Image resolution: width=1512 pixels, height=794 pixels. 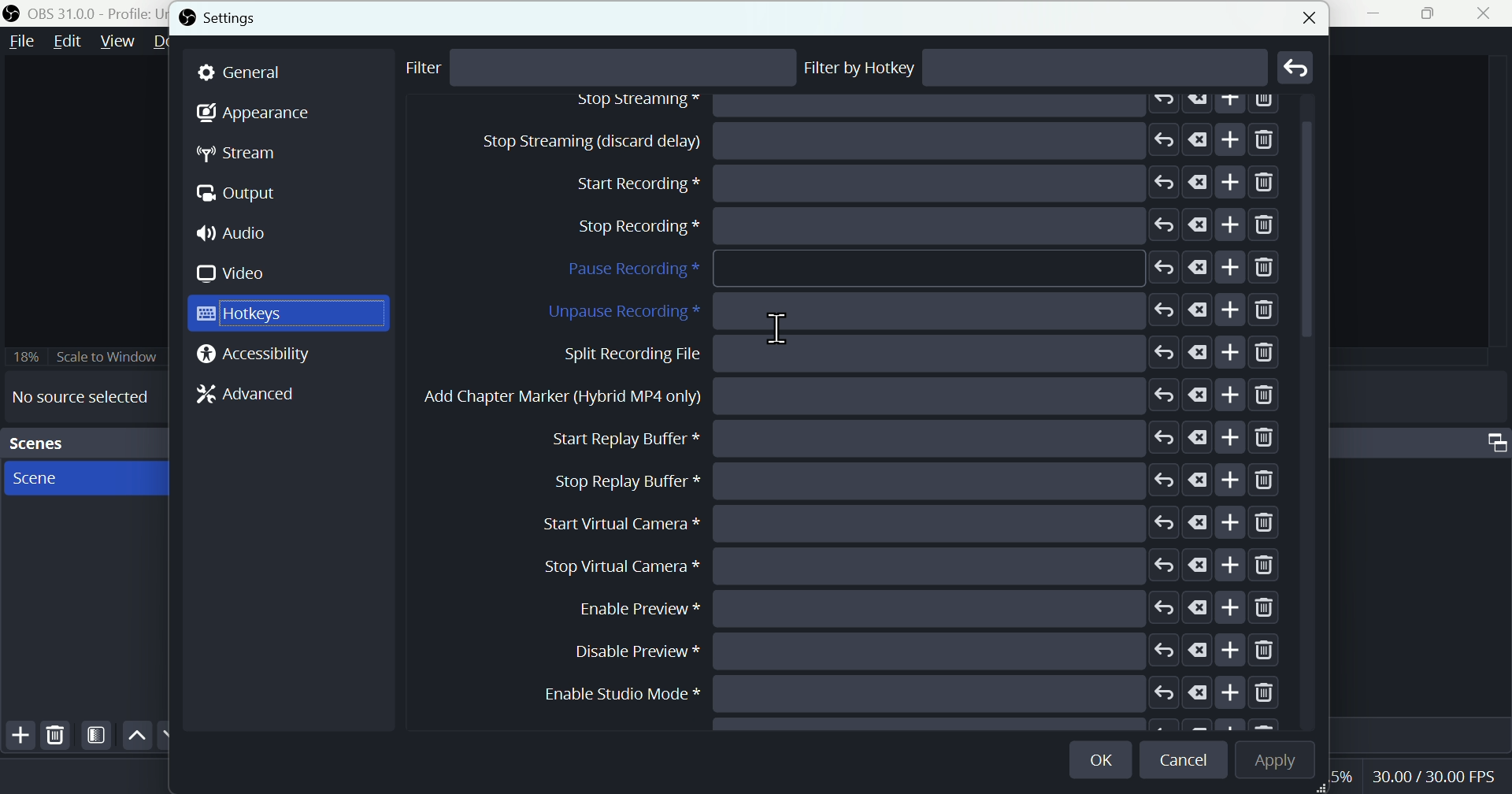 I want to click on close, so click(x=1306, y=15).